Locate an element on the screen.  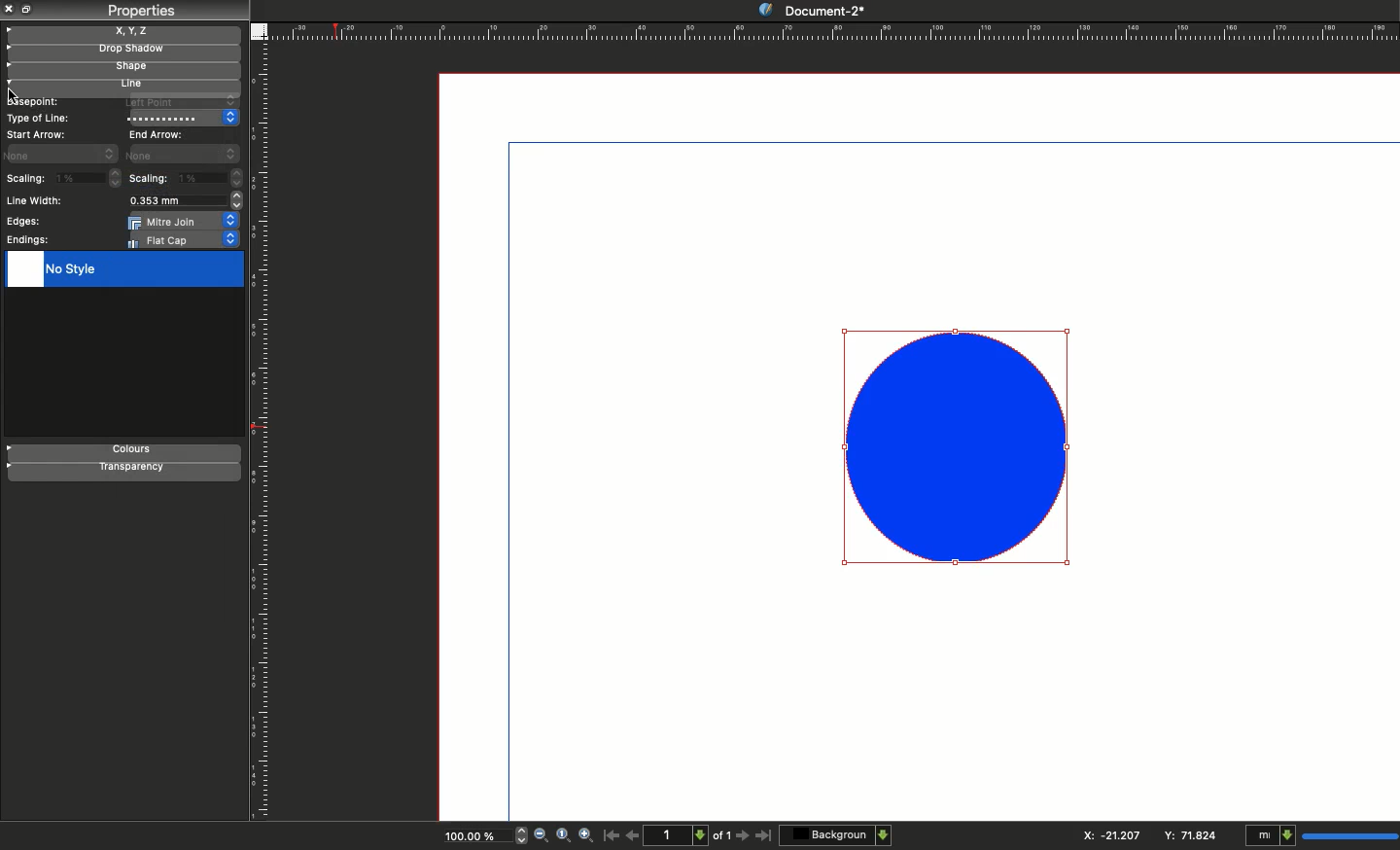
Basepoint is located at coordinates (32, 102).